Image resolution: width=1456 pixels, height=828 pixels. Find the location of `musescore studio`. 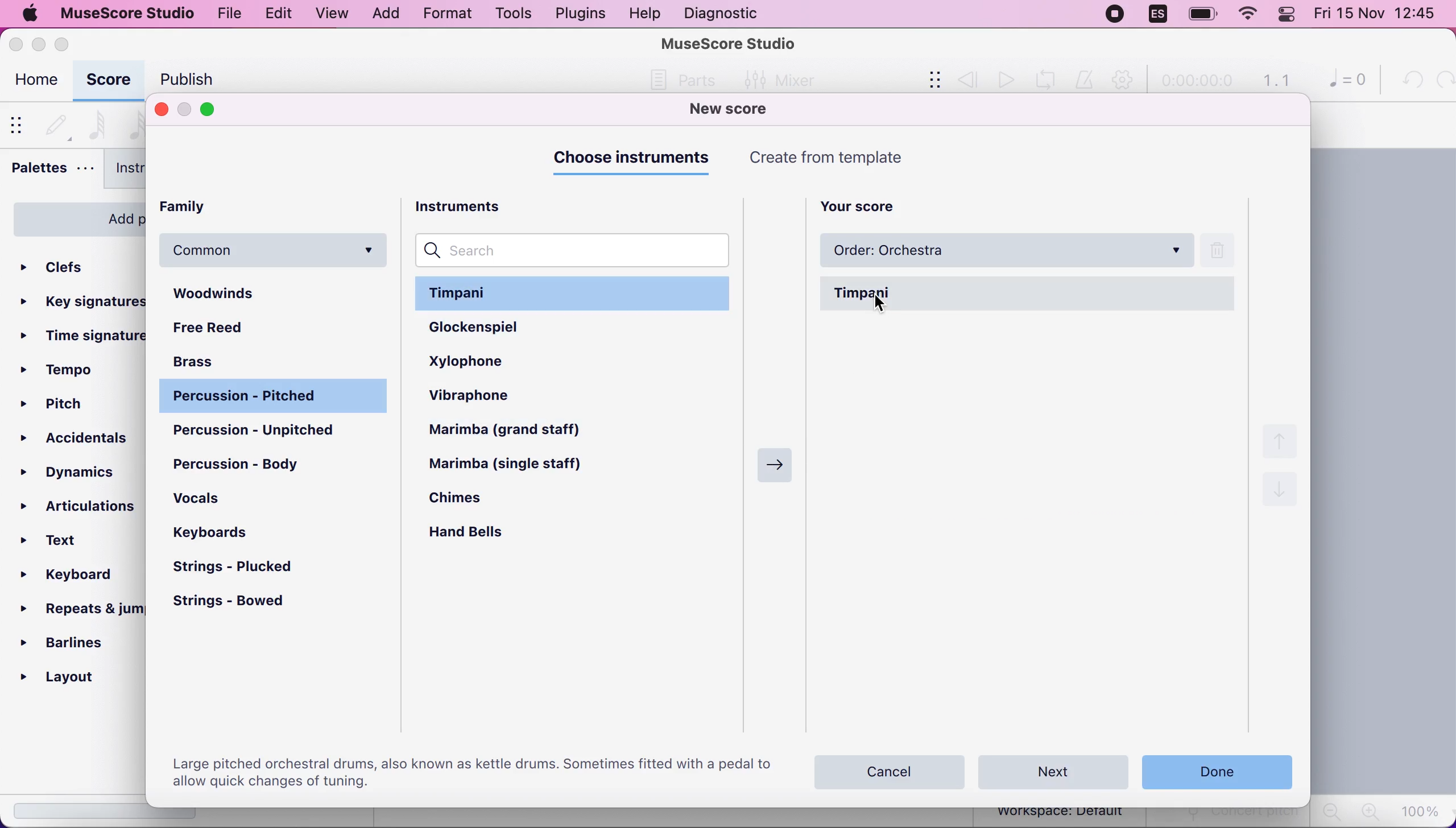

musescore studio is located at coordinates (129, 13).